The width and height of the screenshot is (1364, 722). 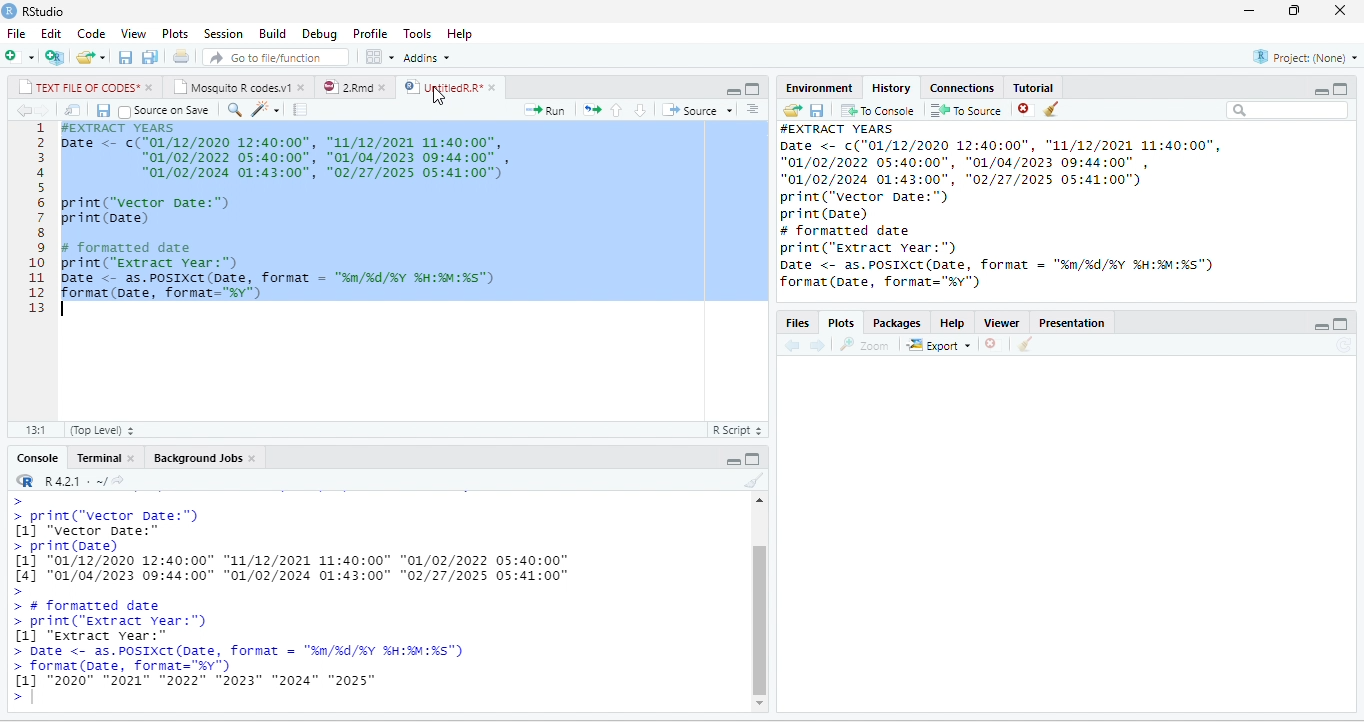 What do you see at coordinates (273, 34) in the screenshot?
I see `Build` at bounding box center [273, 34].